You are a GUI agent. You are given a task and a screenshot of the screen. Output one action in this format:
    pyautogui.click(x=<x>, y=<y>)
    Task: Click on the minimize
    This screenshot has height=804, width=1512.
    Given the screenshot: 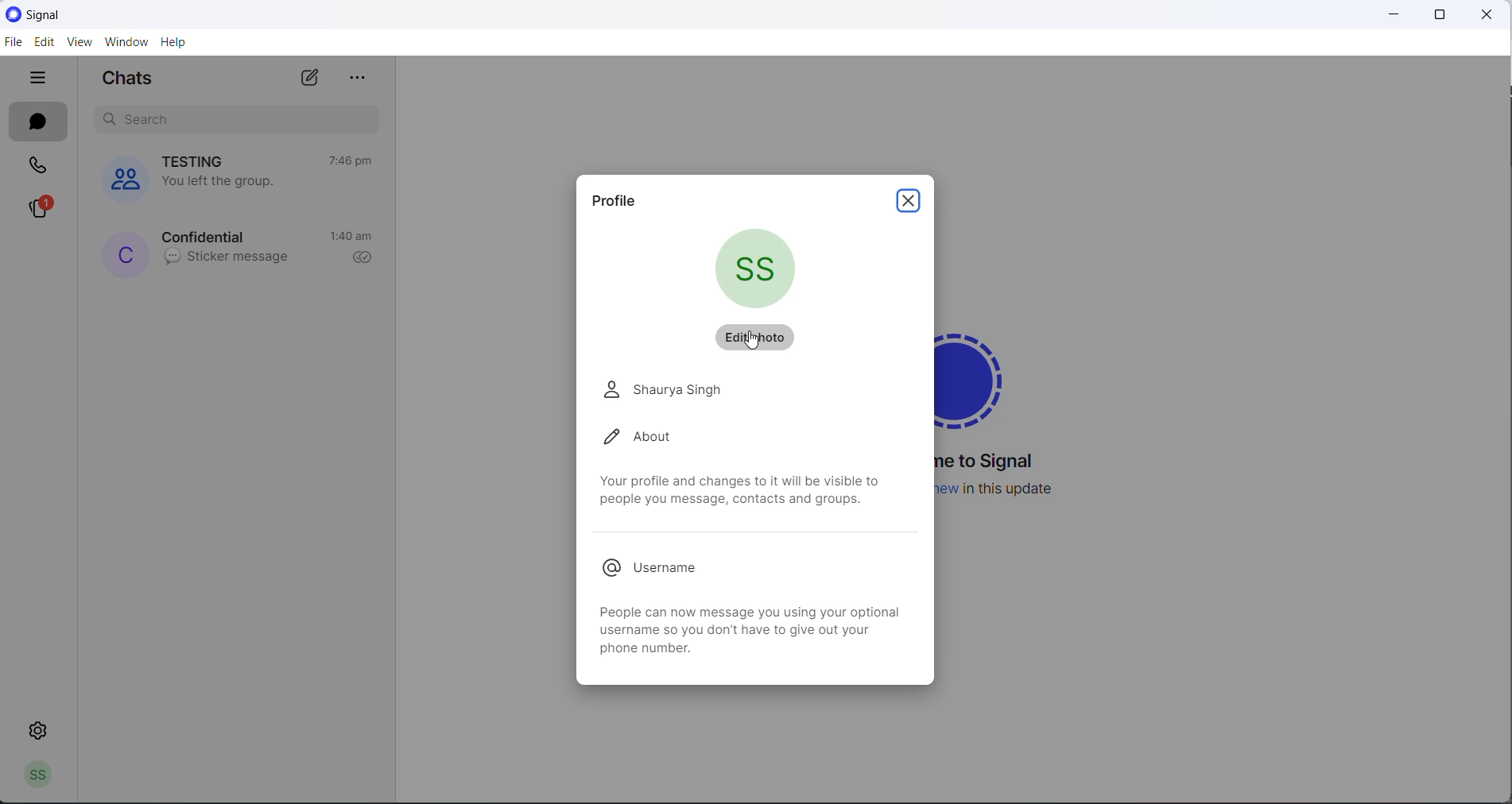 What is the action you would take?
    pyautogui.click(x=1387, y=14)
    